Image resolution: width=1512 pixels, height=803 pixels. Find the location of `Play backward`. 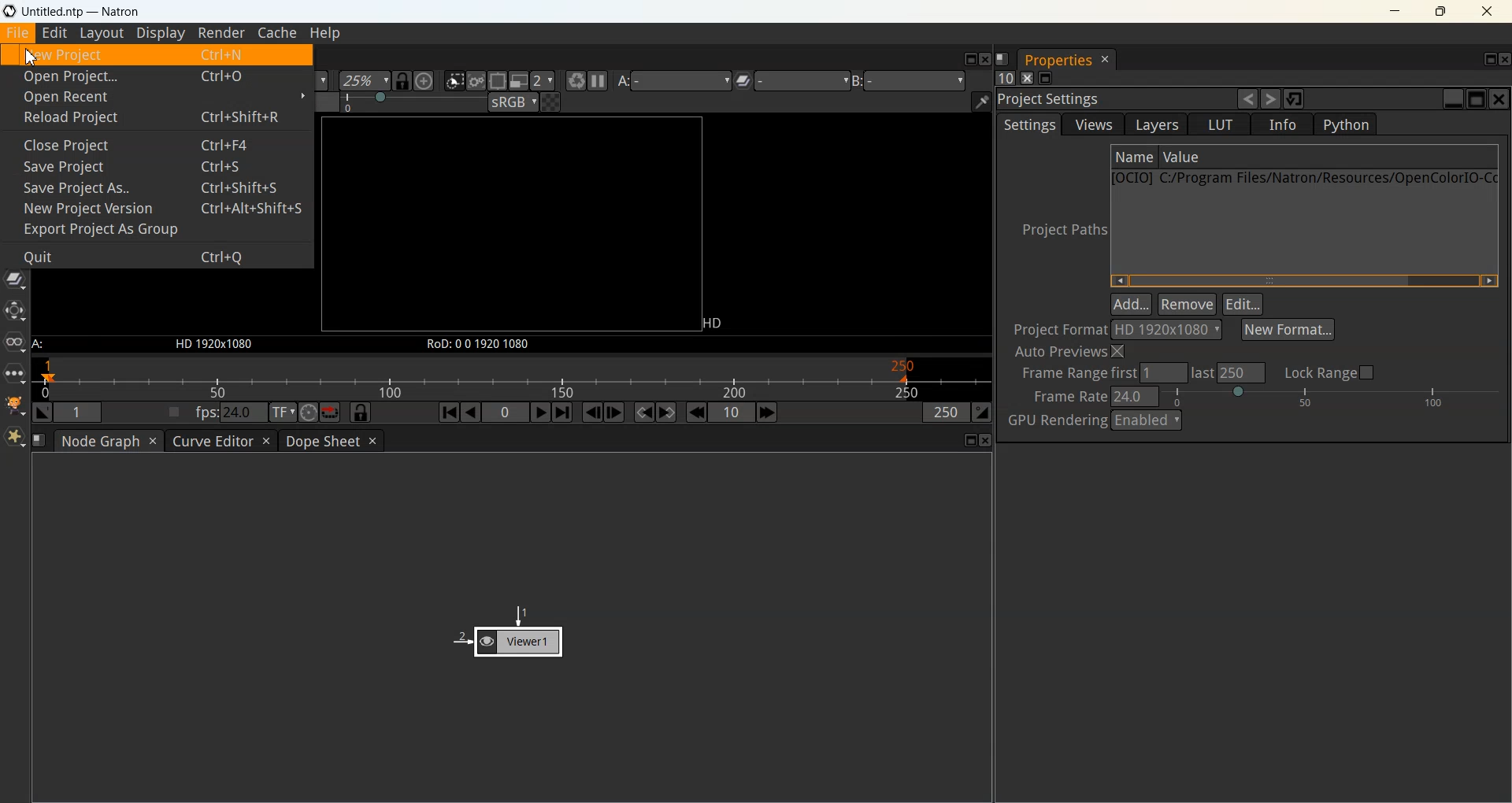

Play backward is located at coordinates (471, 413).